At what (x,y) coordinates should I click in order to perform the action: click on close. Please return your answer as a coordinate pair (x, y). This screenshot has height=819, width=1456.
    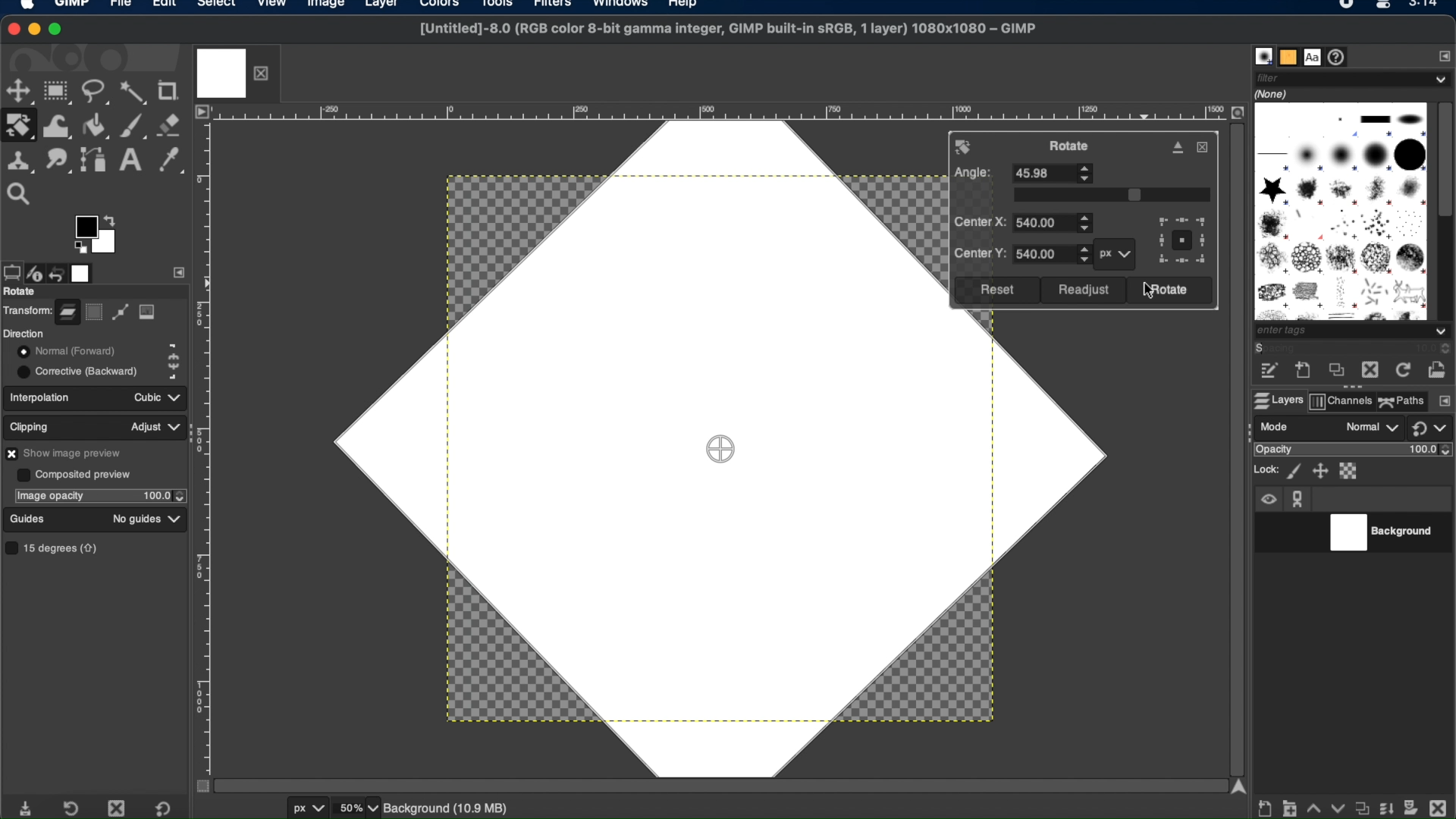
    Looking at the image, I should click on (1203, 147).